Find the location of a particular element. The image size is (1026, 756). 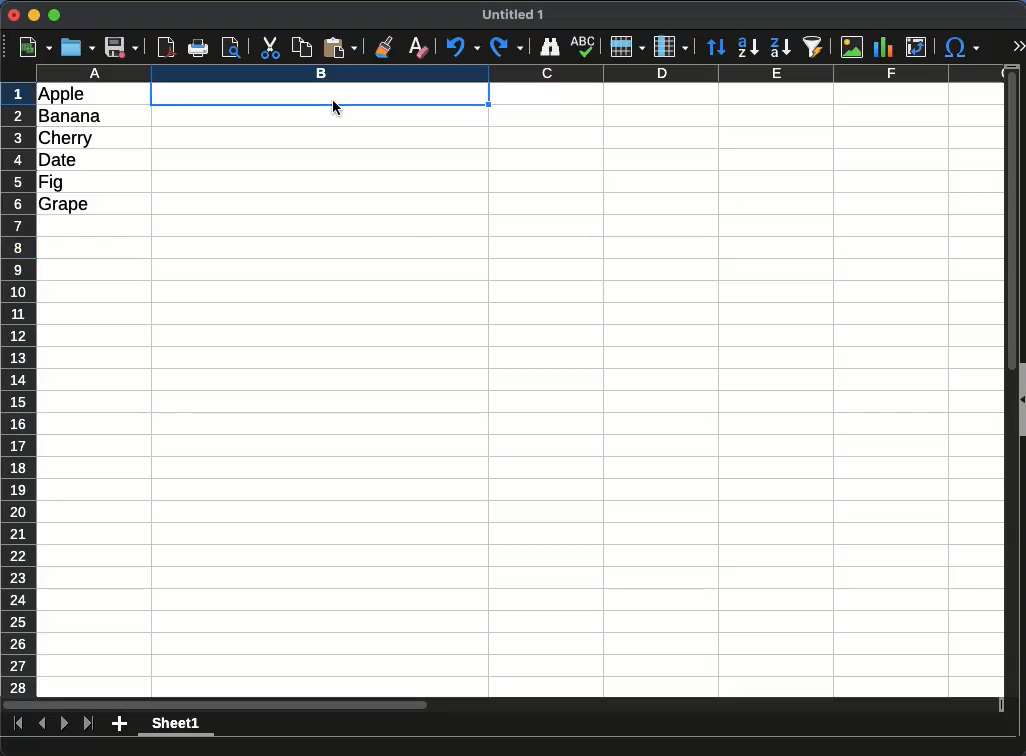

finder is located at coordinates (549, 47).